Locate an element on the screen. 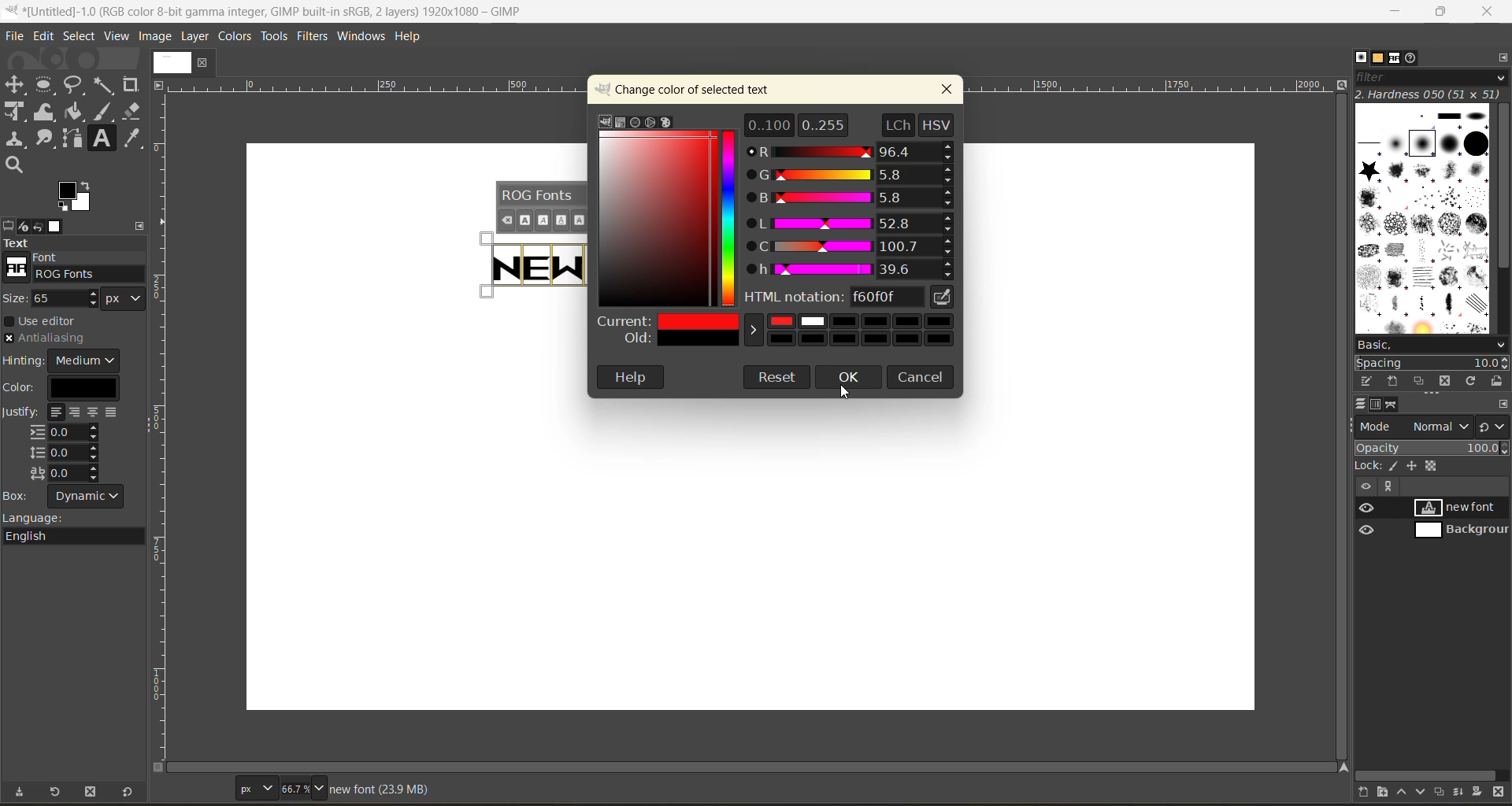  type is located at coordinates (255, 787).